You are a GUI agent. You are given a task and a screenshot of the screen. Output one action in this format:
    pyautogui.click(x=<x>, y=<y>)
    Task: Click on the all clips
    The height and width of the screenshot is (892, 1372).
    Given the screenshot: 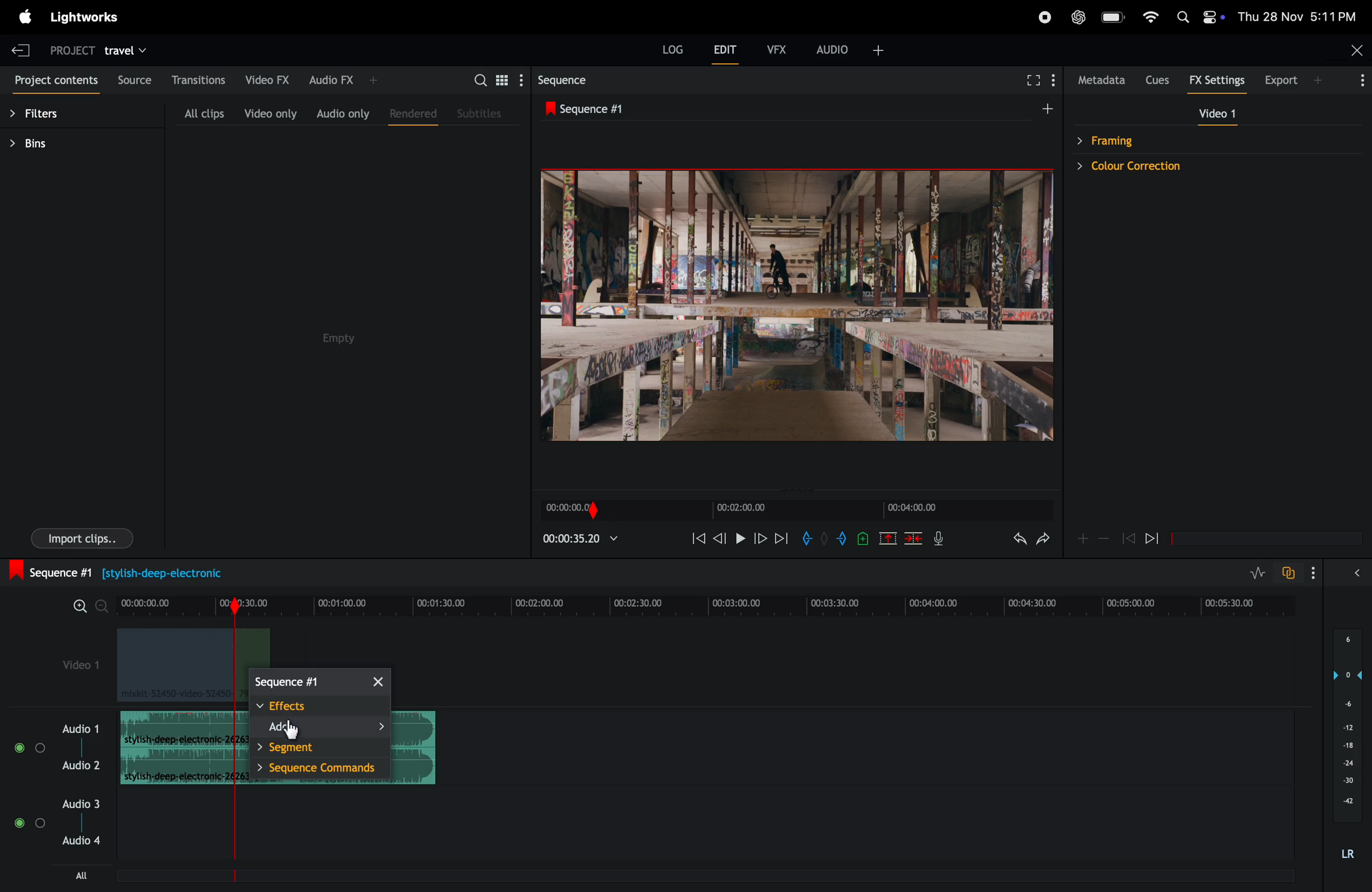 What is the action you would take?
    pyautogui.click(x=203, y=112)
    